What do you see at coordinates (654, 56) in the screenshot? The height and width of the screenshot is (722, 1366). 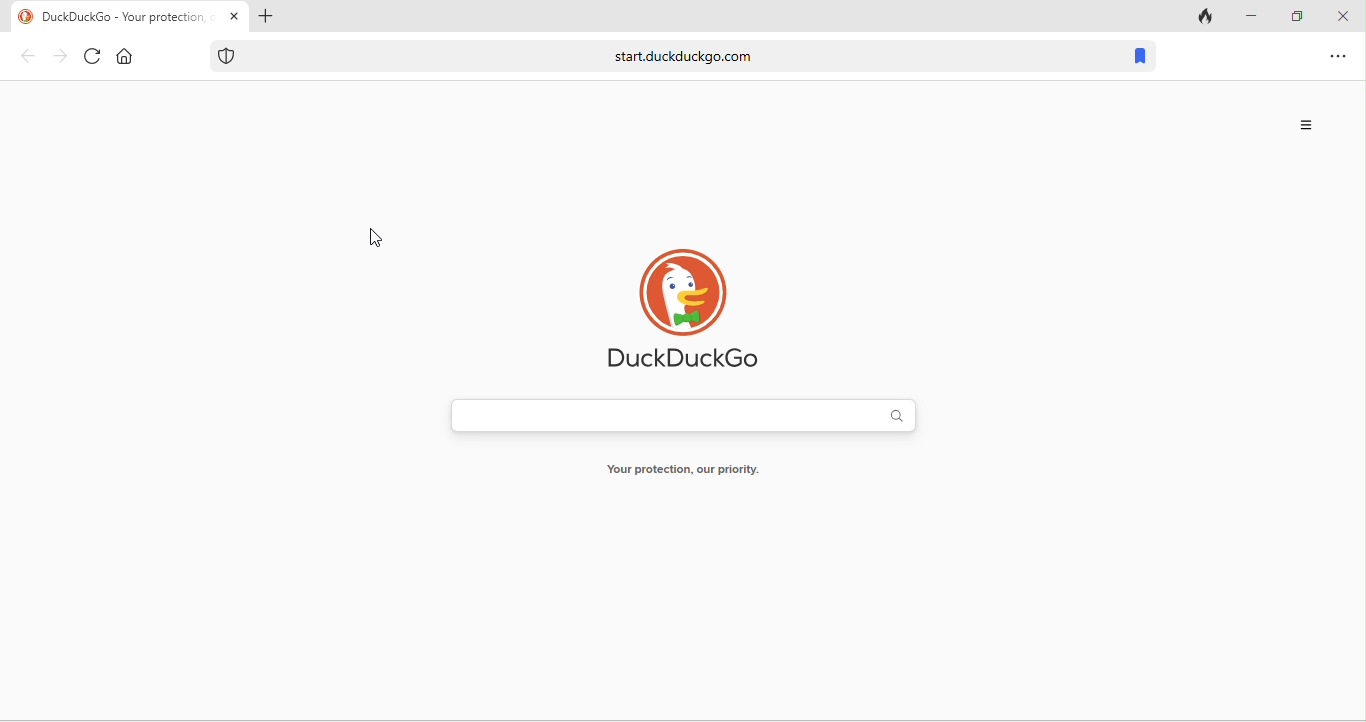 I see `web link` at bounding box center [654, 56].